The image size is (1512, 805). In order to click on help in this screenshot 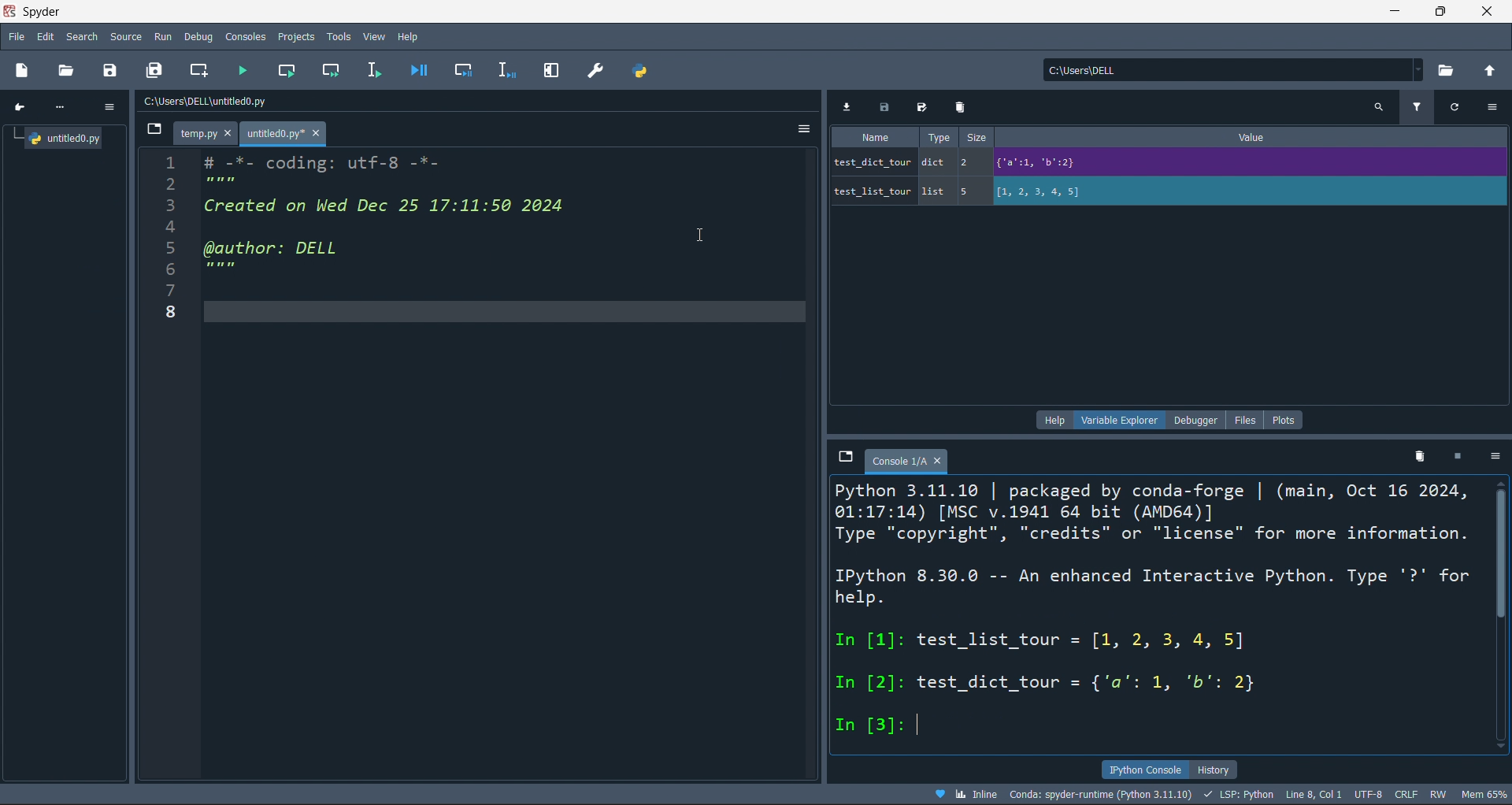, I will do `click(1052, 420)`.